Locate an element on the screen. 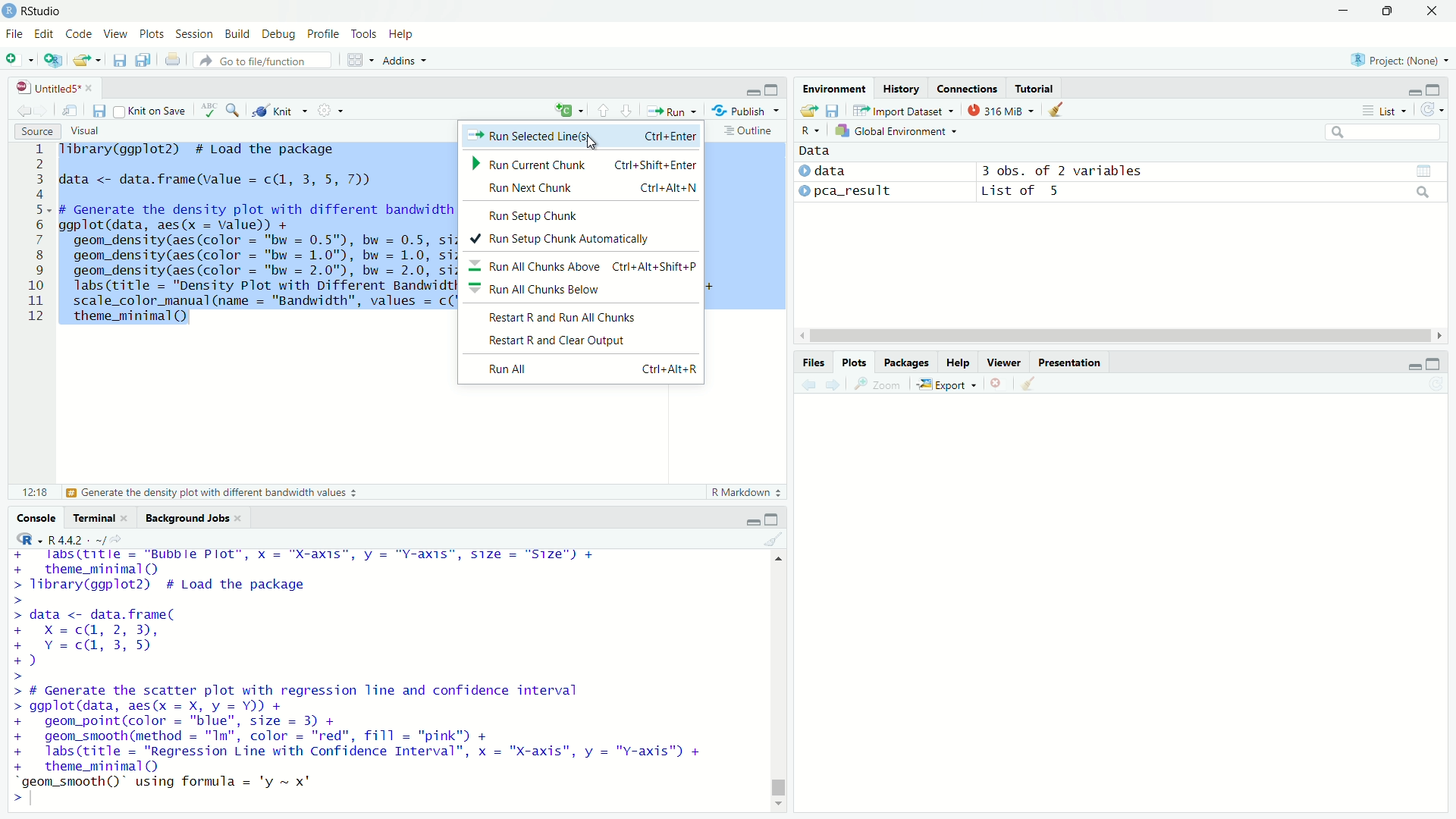  Clear objects from workspace is located at coordinates (1057, 110).